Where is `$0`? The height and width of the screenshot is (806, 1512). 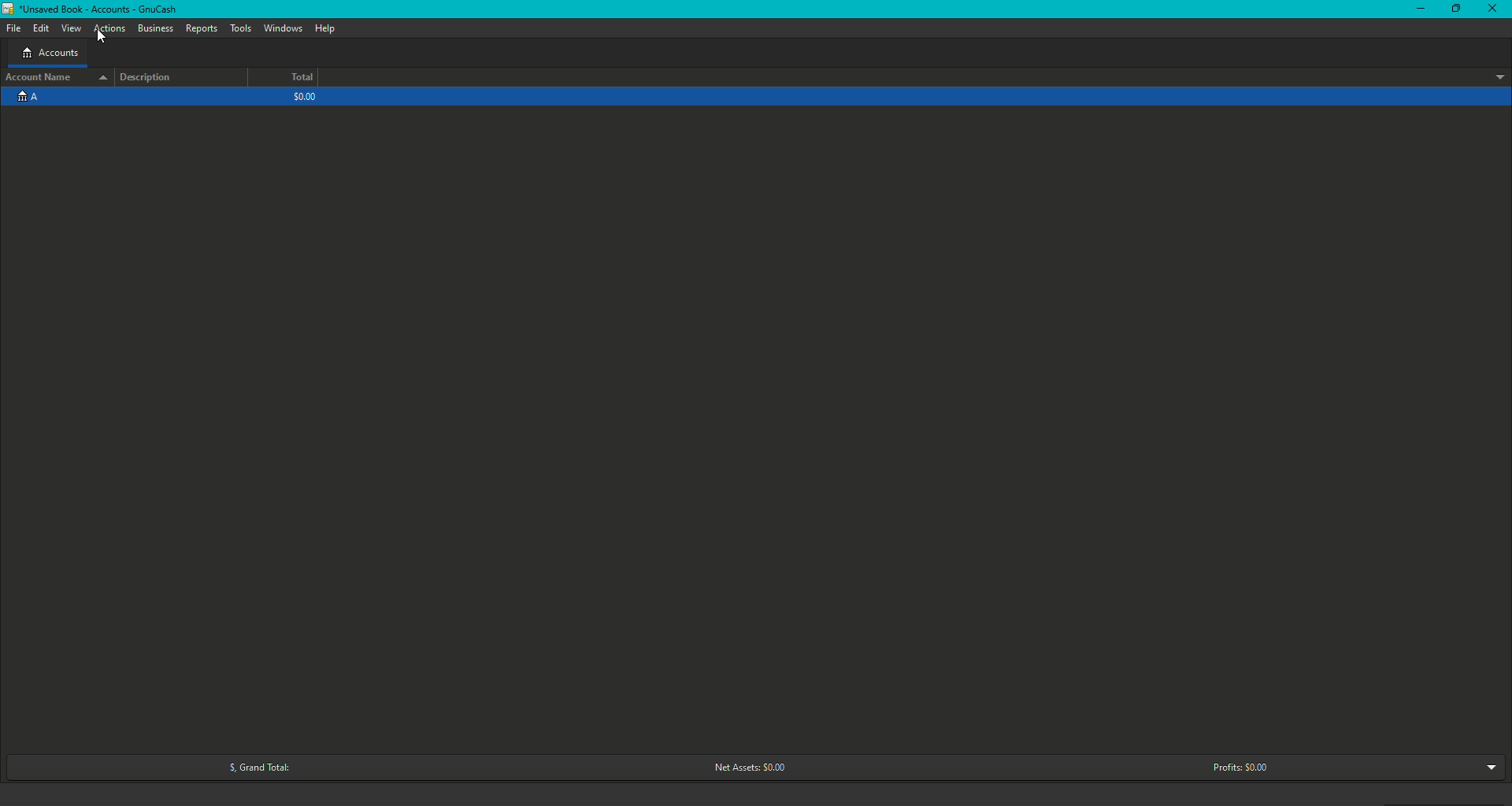 $0 is located at coordinates (297, 96).